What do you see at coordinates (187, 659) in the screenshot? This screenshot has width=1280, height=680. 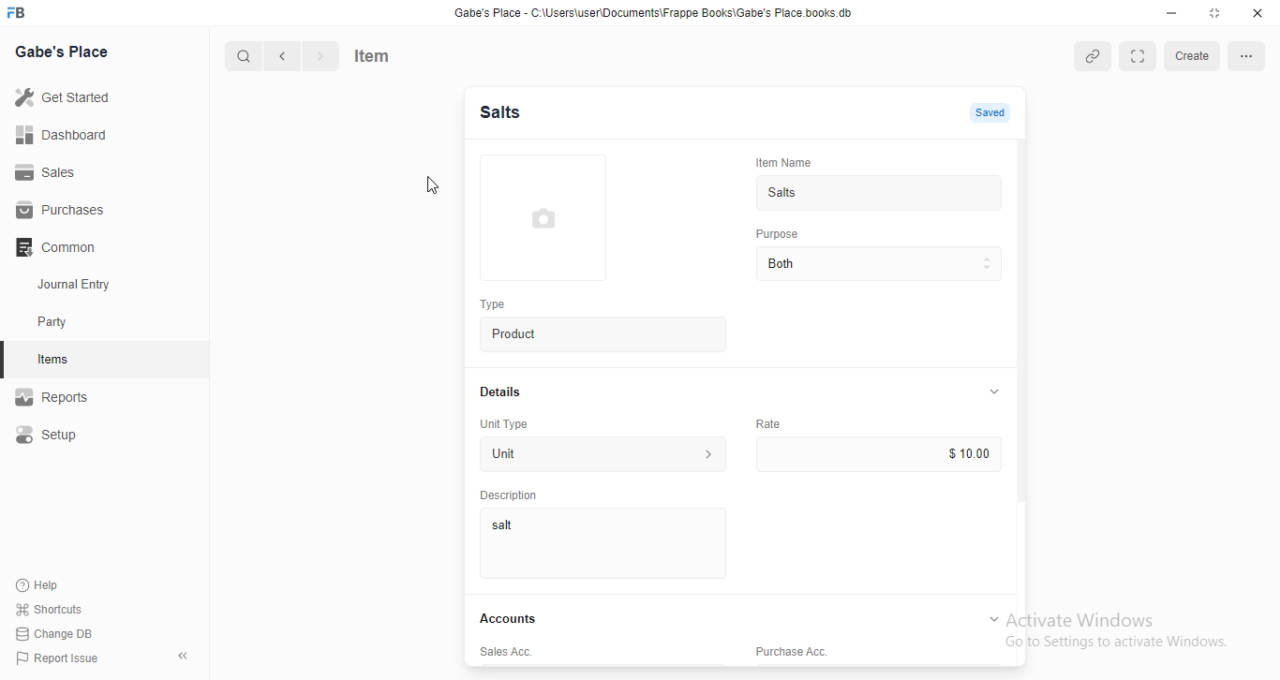 I see `collapse` at bounding box center [187, 659].